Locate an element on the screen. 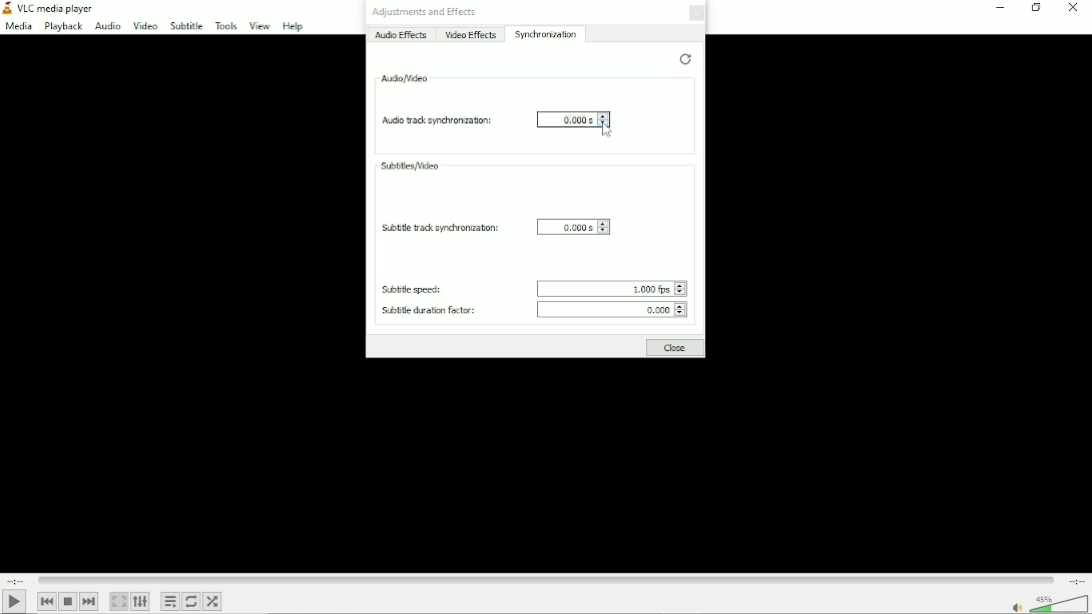 This screenshot has height=614, width=1092. Total duration is located at coordinates (1076, 581).